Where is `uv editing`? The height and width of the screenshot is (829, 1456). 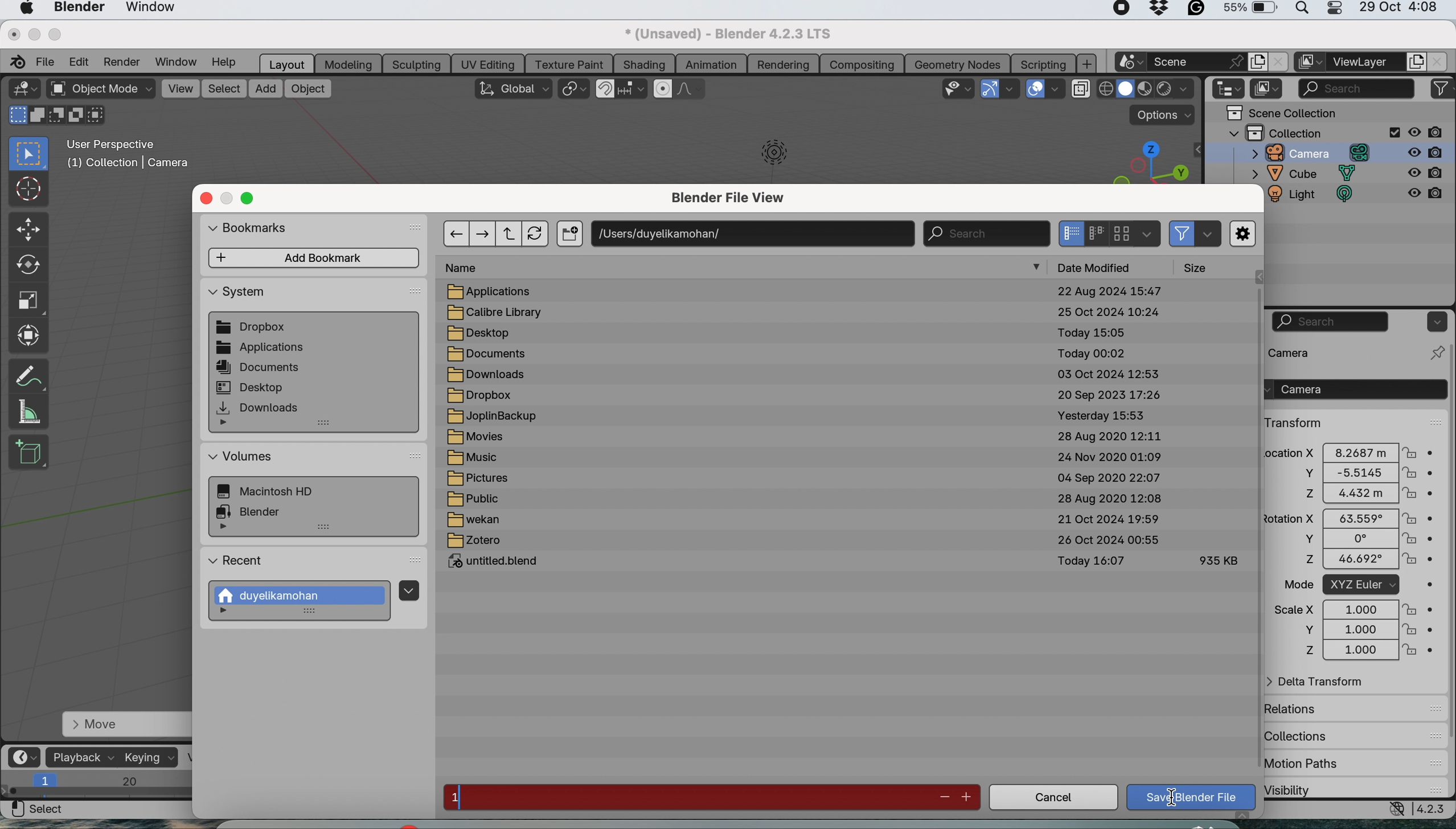 uv editing is located at coordinates (491, 63).